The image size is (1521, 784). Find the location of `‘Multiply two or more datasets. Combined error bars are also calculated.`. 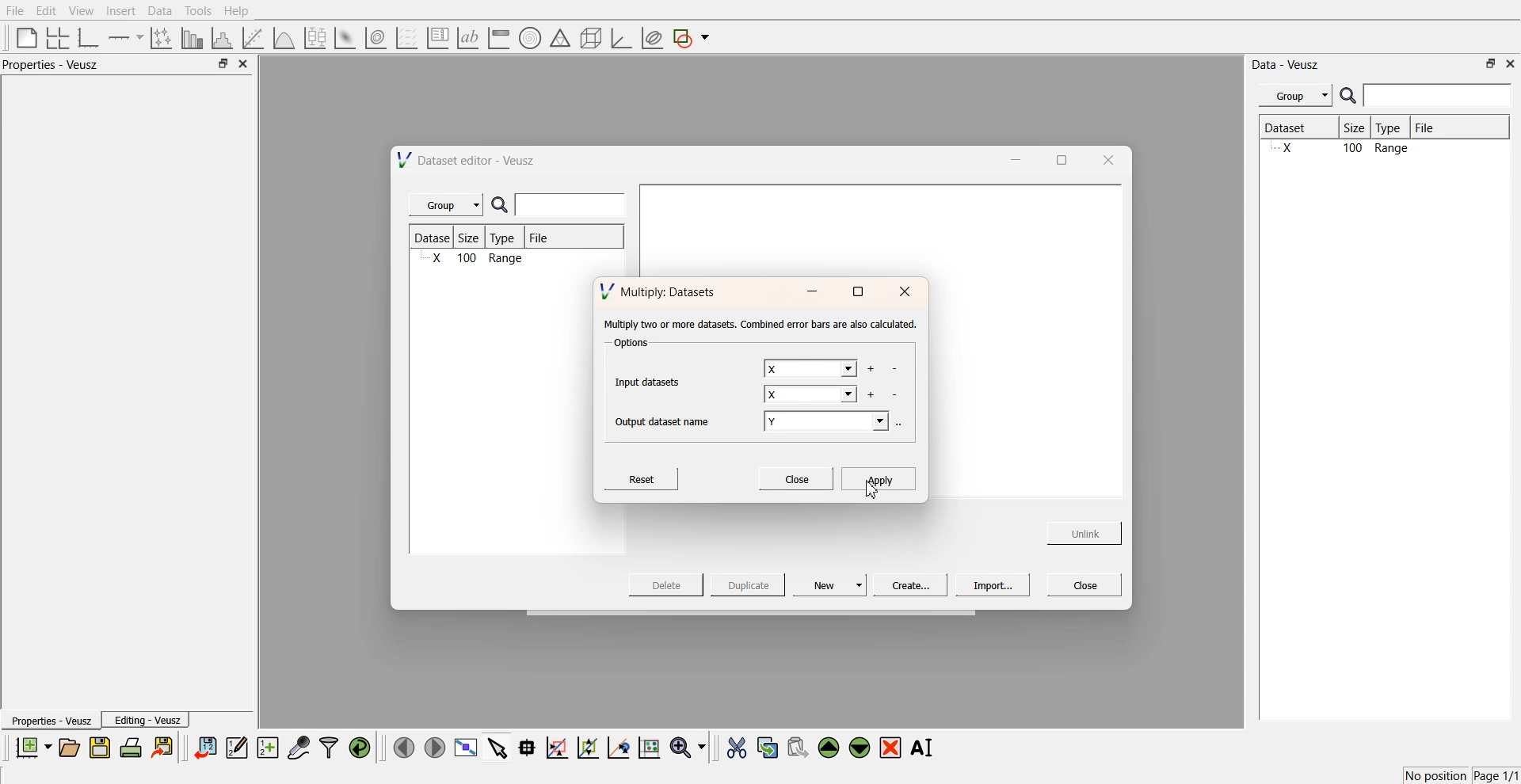

‘Multiply two or more datasets. Combined error bars are also calculated. is located at coordinates (760, 325).